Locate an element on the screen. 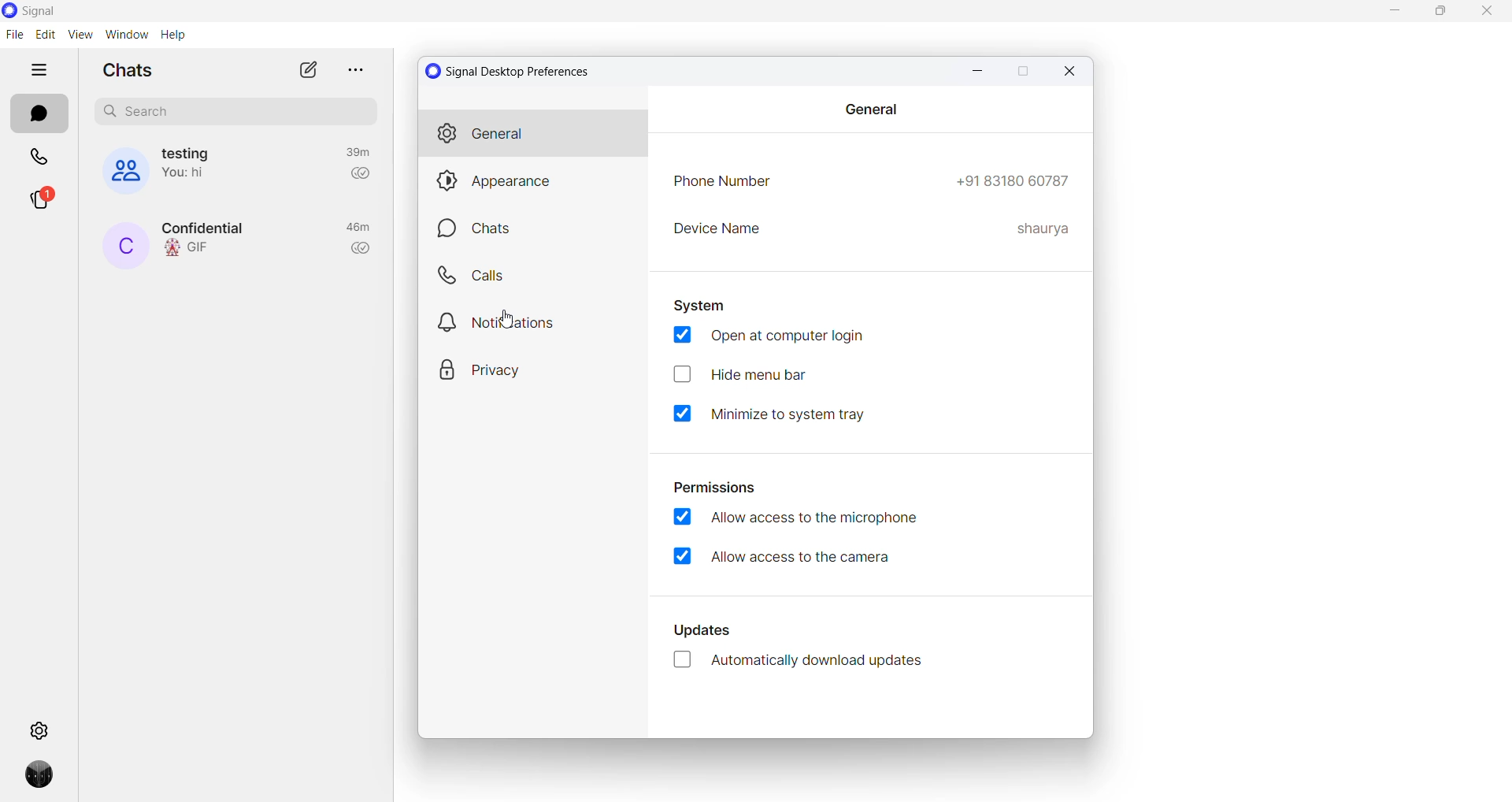 This screenshot has width=1512, height=802. general heading is located at coordinates (871, 109).